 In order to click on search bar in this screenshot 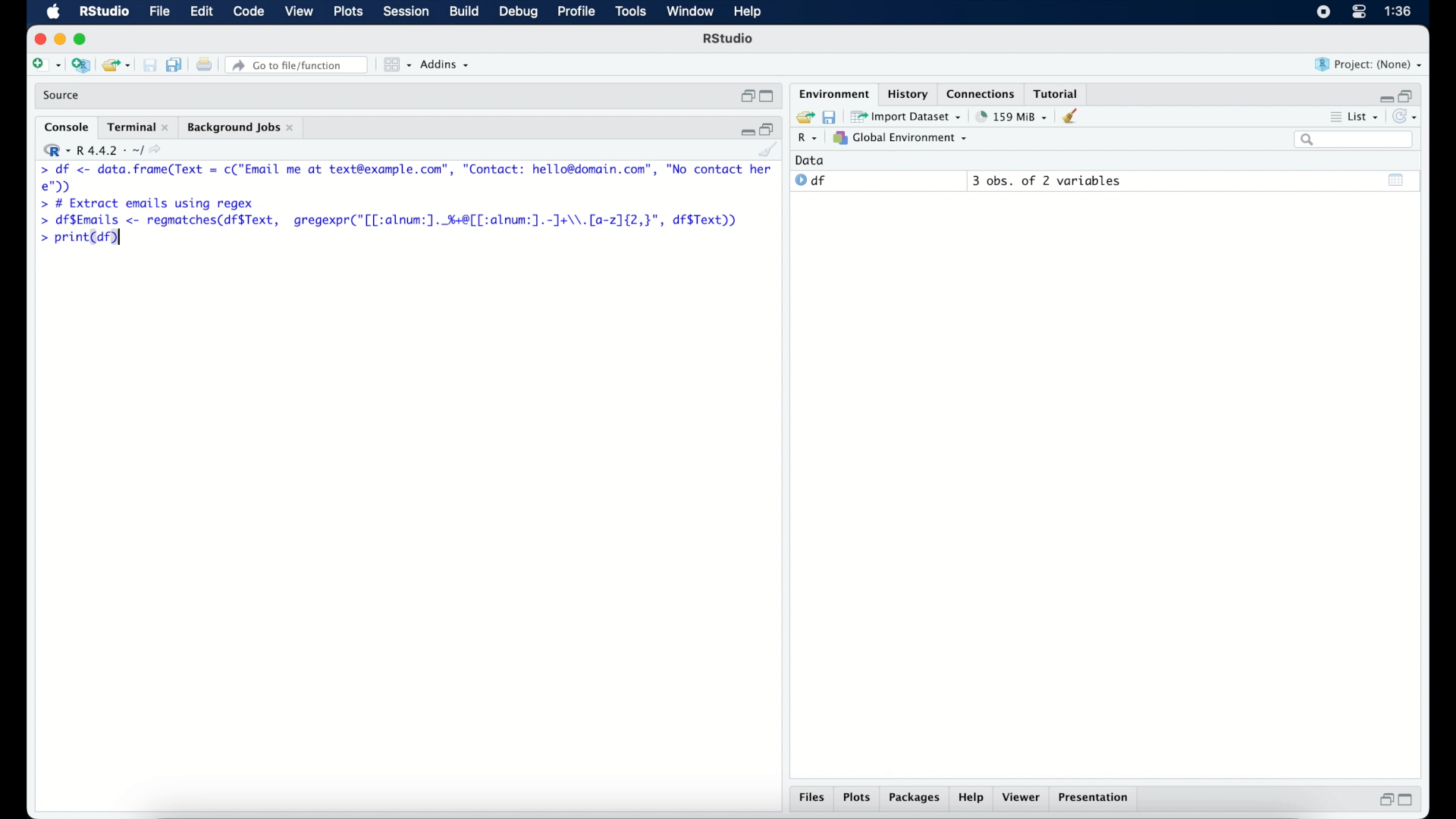, I will do `click(1355, 140)`.